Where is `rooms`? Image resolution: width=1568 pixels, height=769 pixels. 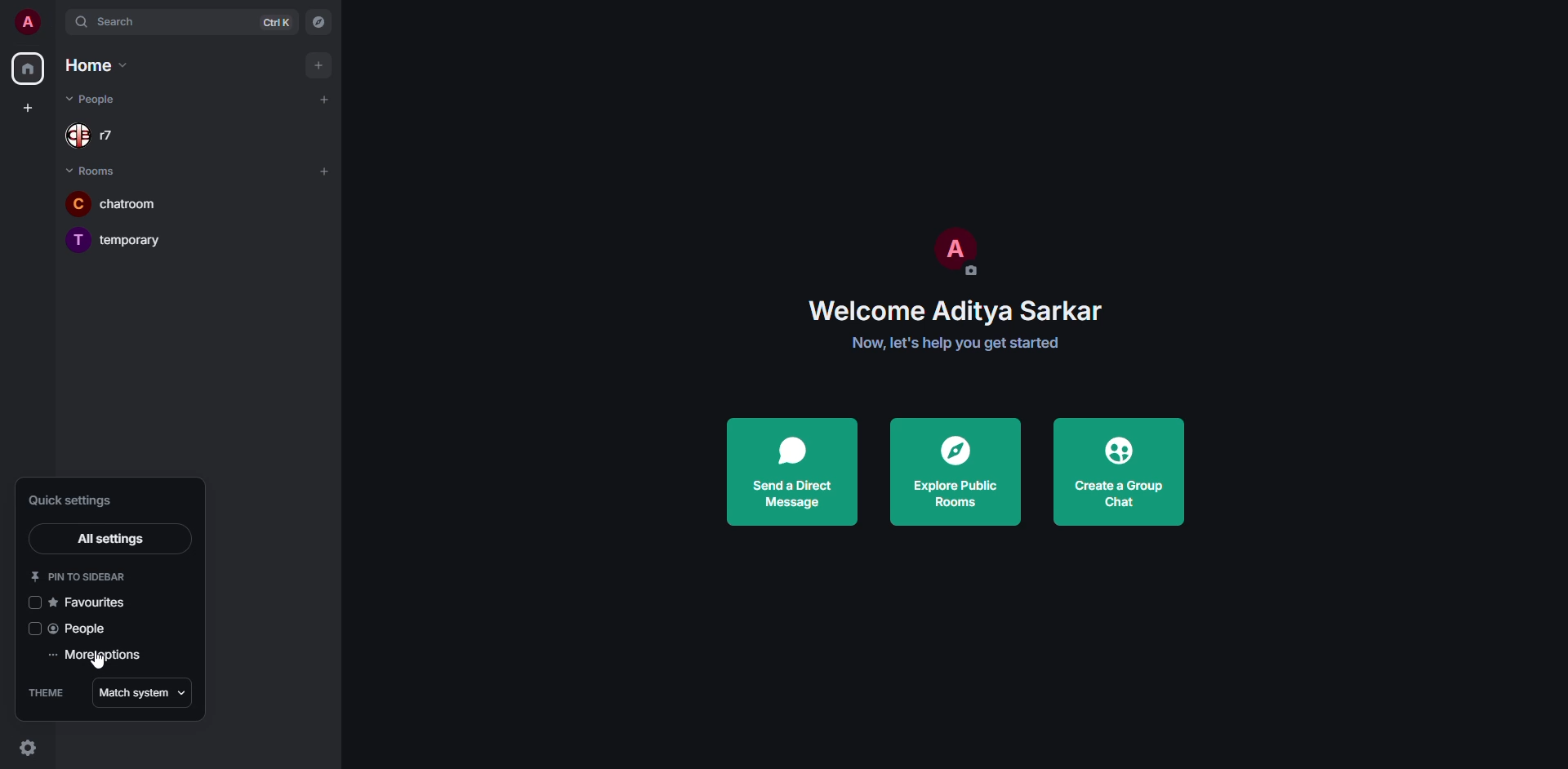
rooms is located at coordinates (96, 172).